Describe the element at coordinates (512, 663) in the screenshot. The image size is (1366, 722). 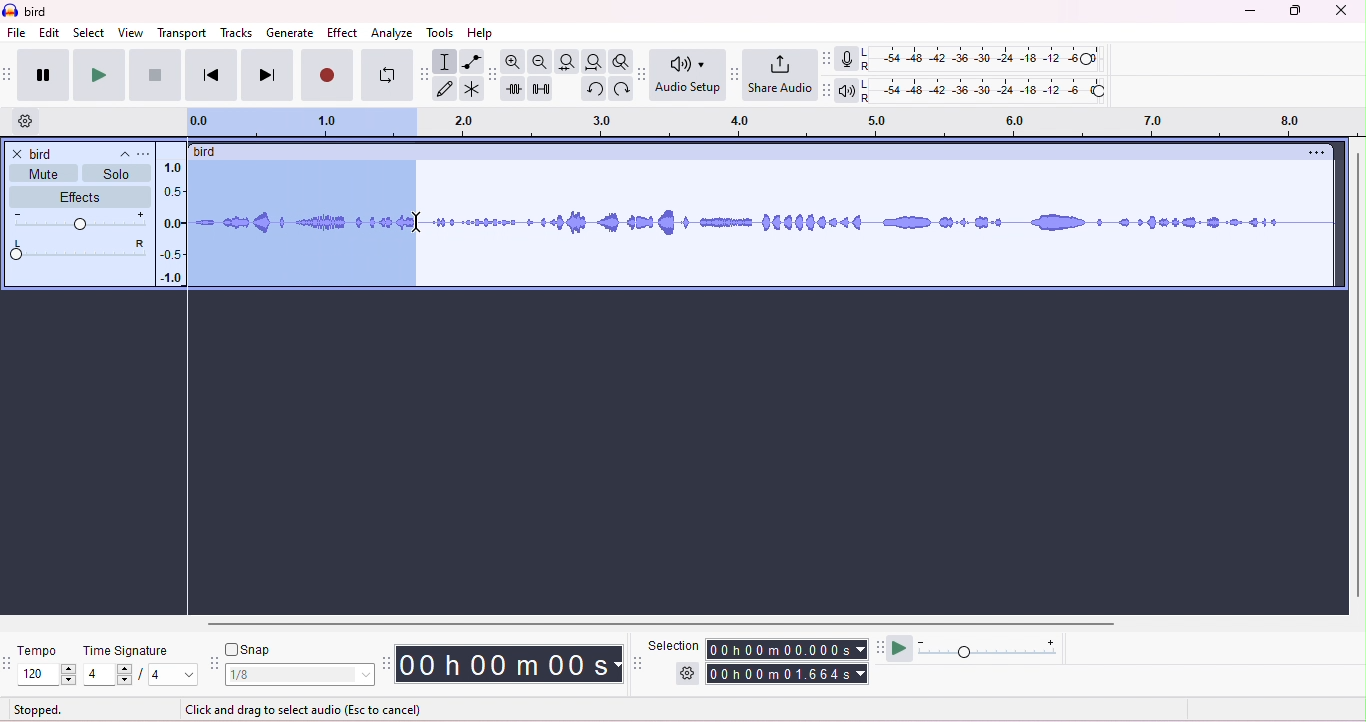
I see `00 h 00 m 00 s` at that location.